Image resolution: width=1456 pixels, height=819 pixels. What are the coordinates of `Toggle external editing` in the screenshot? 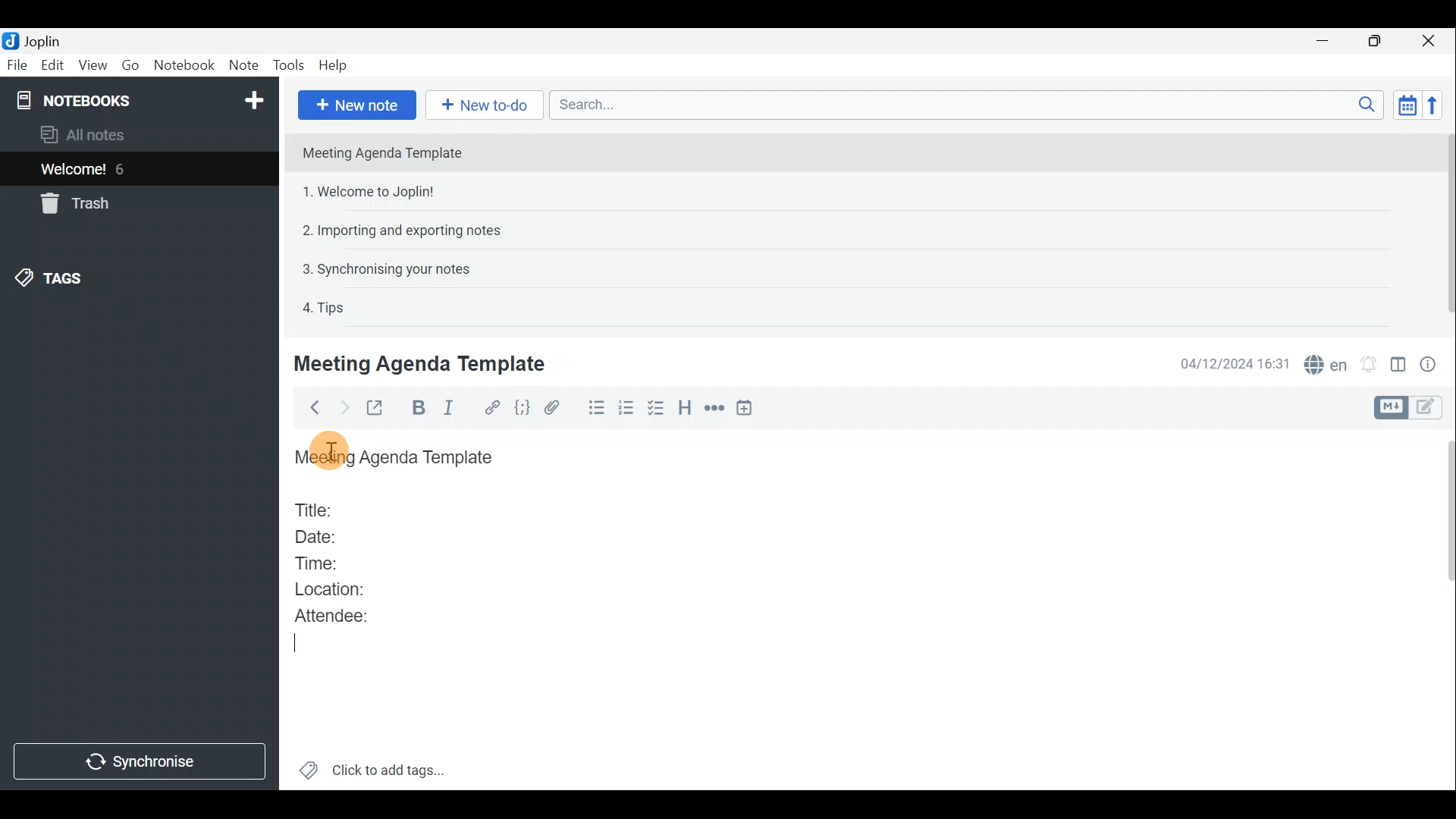 It's located at (379, 409).